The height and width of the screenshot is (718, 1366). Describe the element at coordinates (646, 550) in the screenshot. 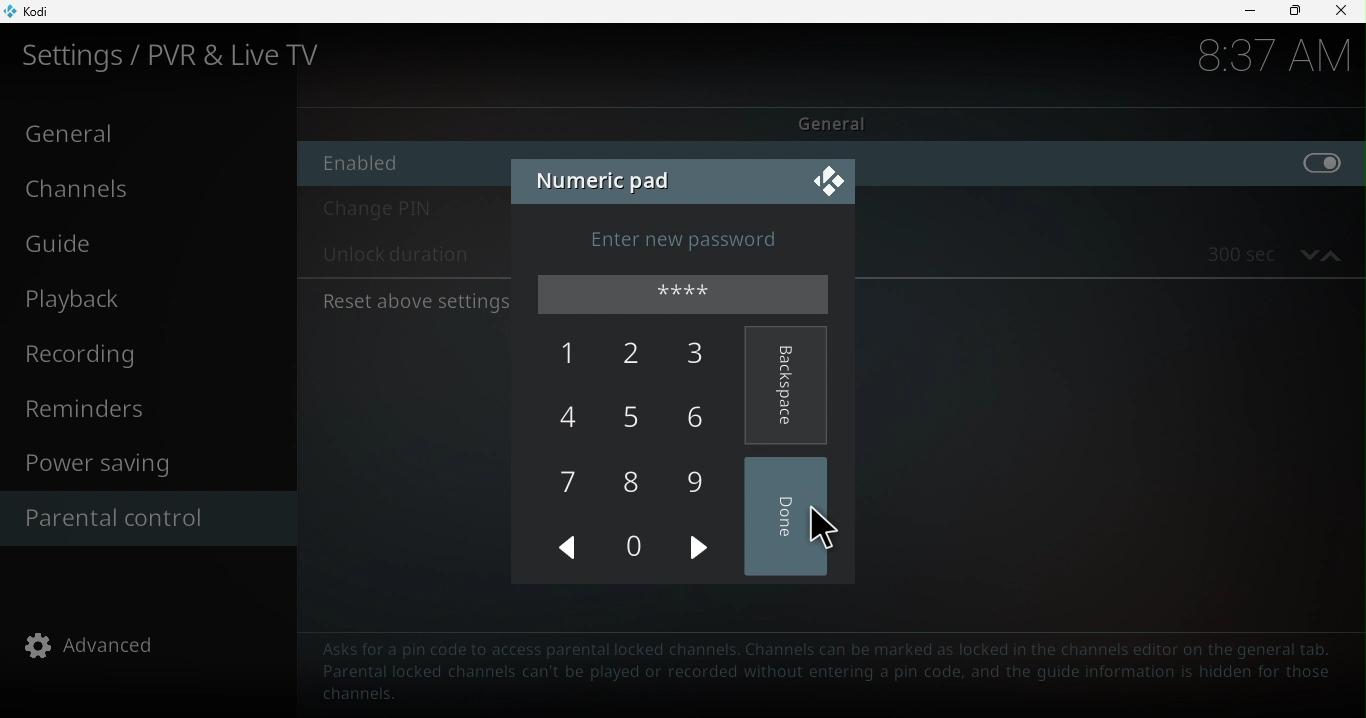

I see `0` at that location.